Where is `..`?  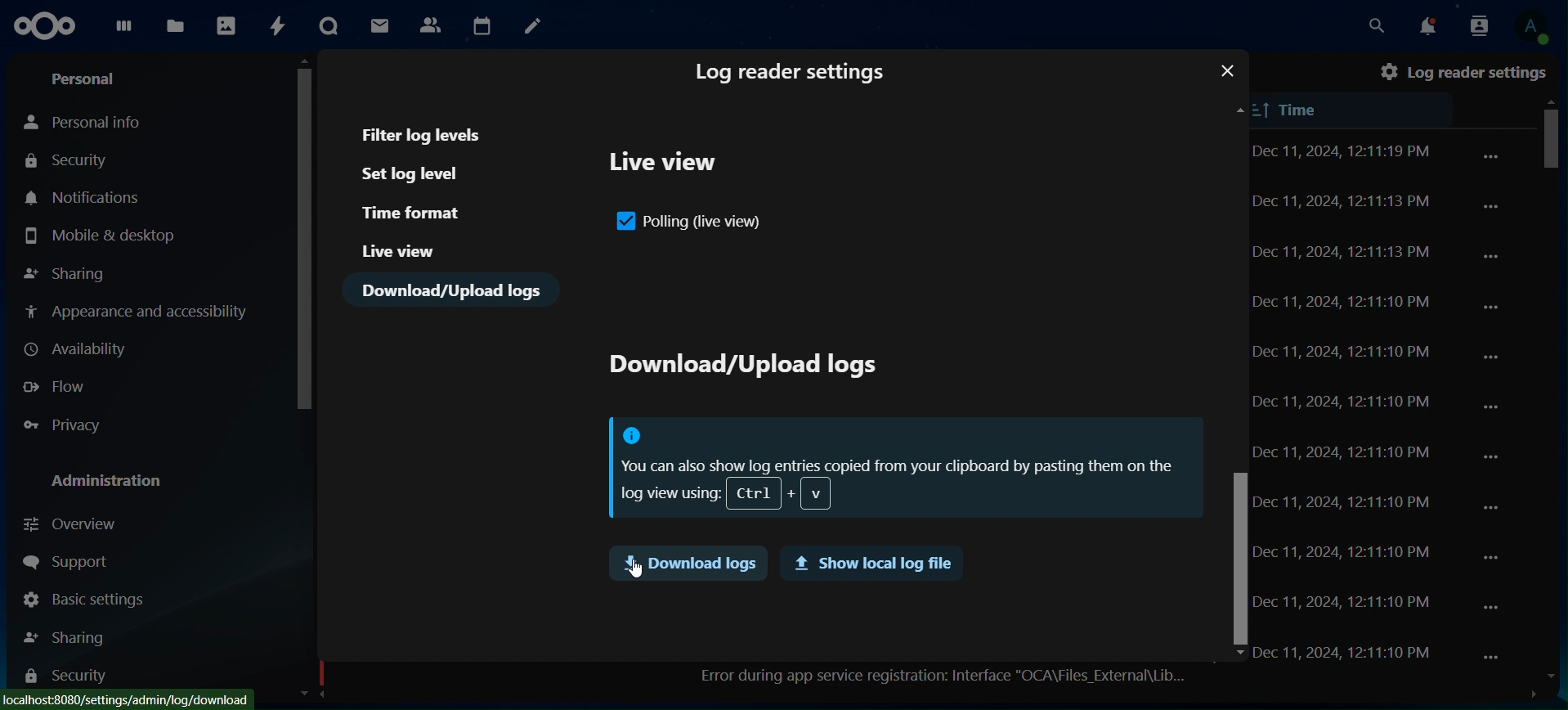
.. is located at coordinates (1491, 156).